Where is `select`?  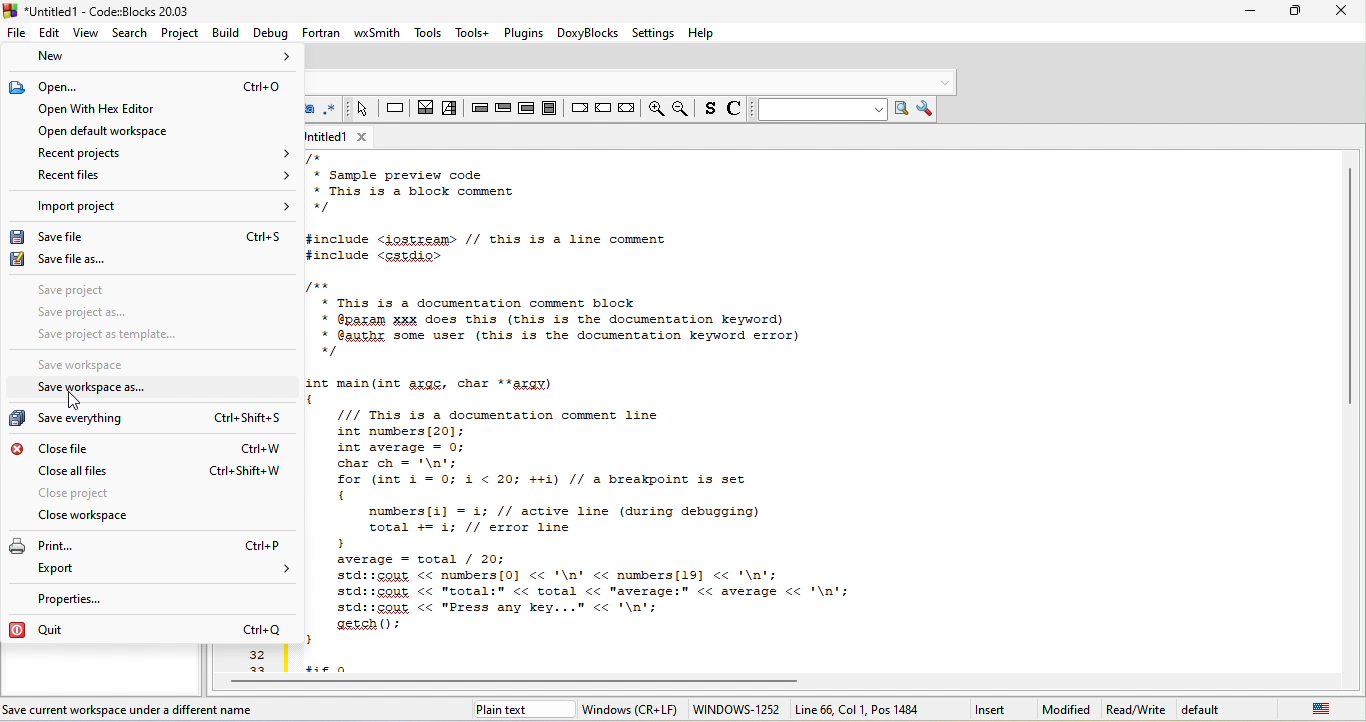 select is located at coordinates (361, 110).